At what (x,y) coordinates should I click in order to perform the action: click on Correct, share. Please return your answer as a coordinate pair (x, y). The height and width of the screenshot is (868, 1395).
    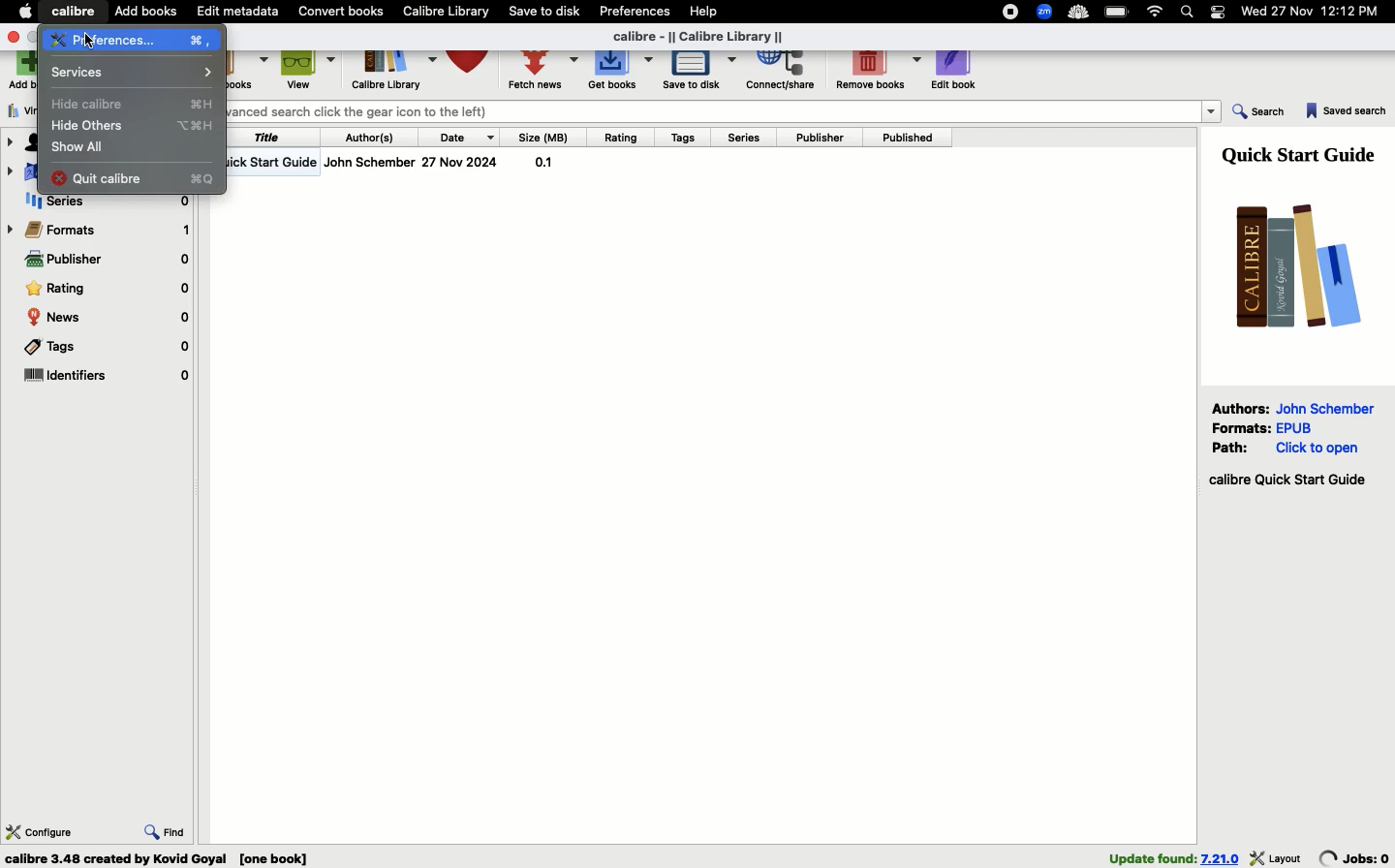
    Looking at the image, I should click on (785, 73).